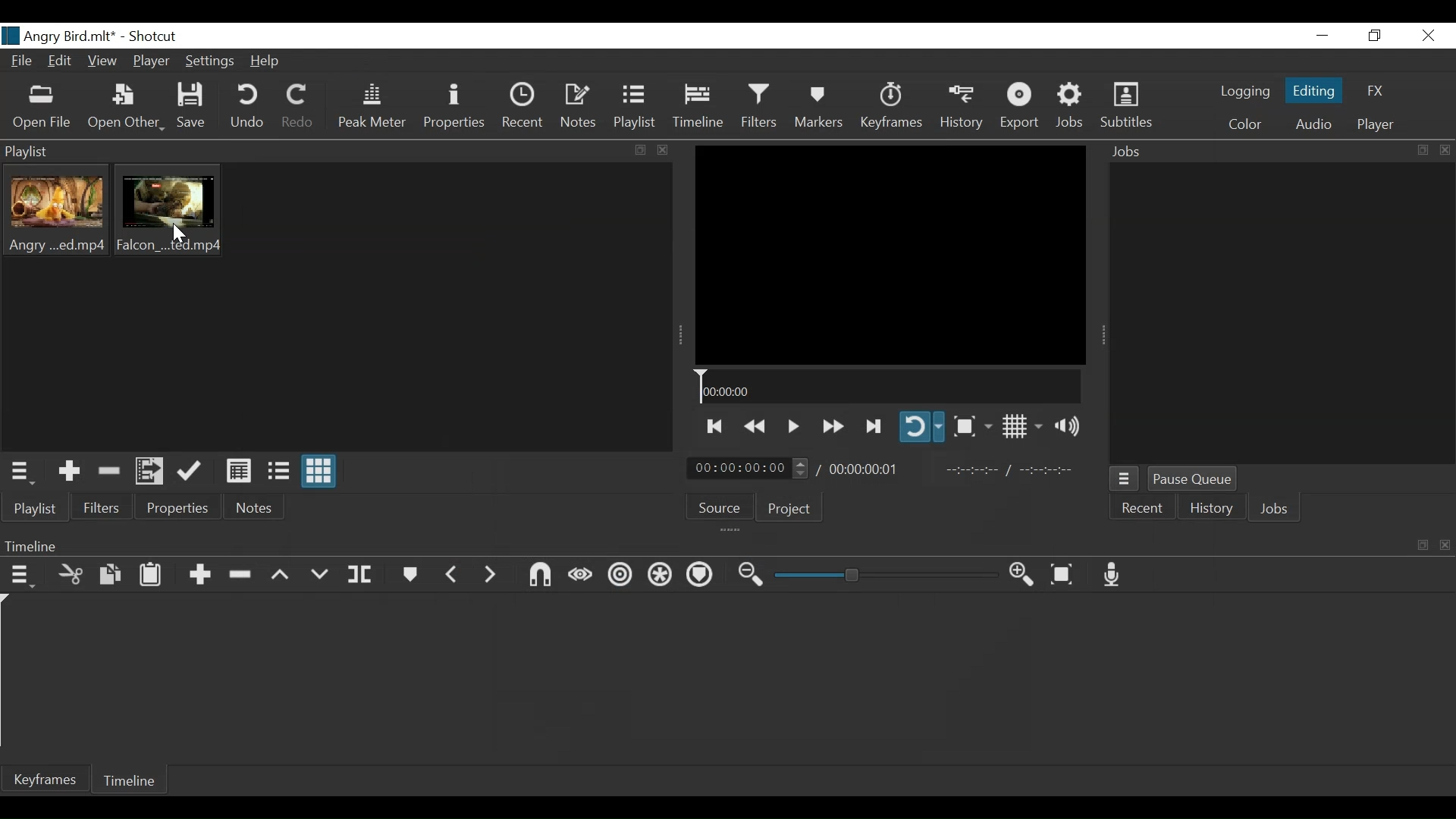 Image resolution: width=1456 pixels, height=819 pixels. Describe the element at coordinates (1373, 93) in the screenshot. I see `FX` at that location.